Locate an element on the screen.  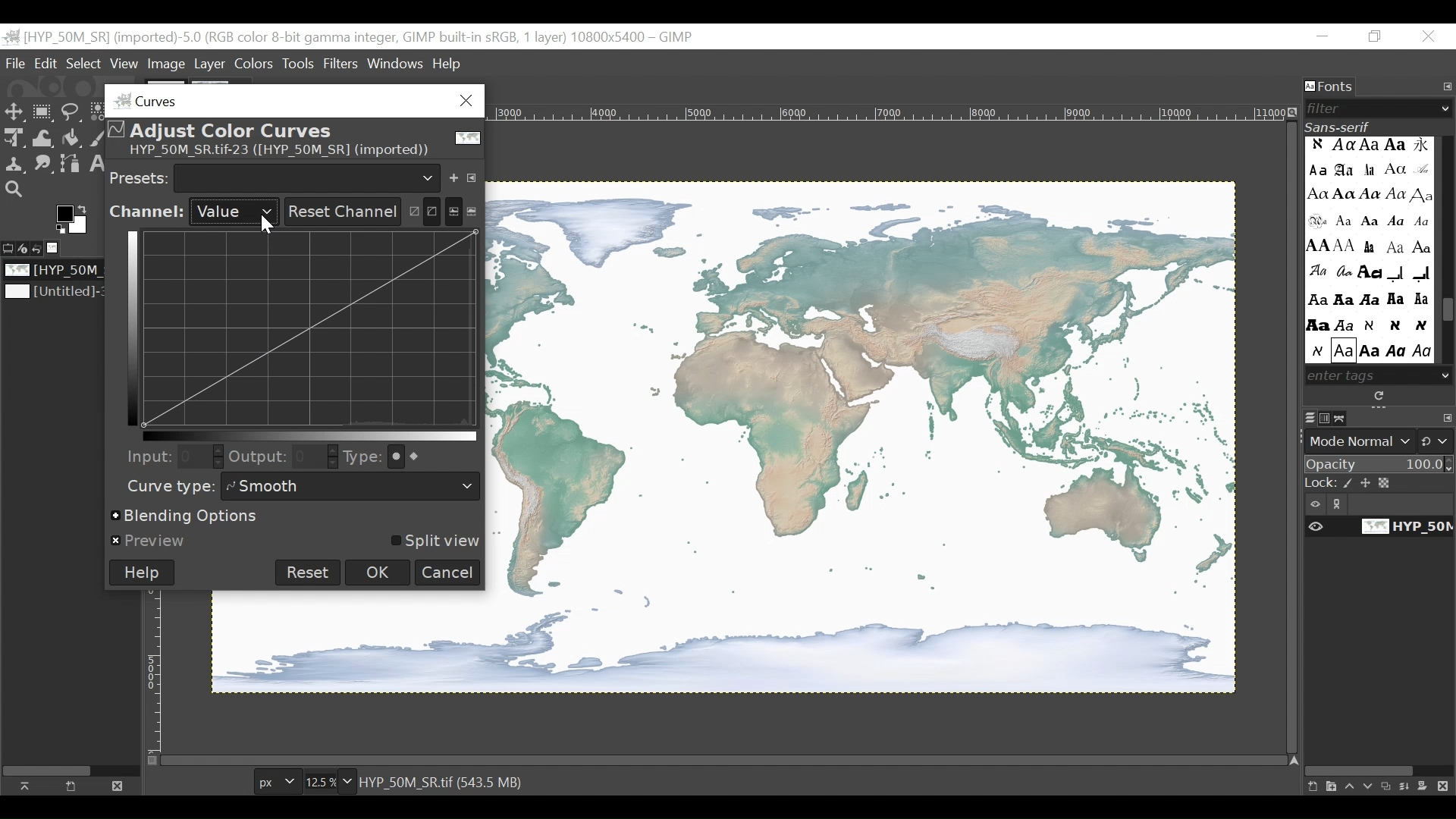
Free To is located at coordinates (71, 115).